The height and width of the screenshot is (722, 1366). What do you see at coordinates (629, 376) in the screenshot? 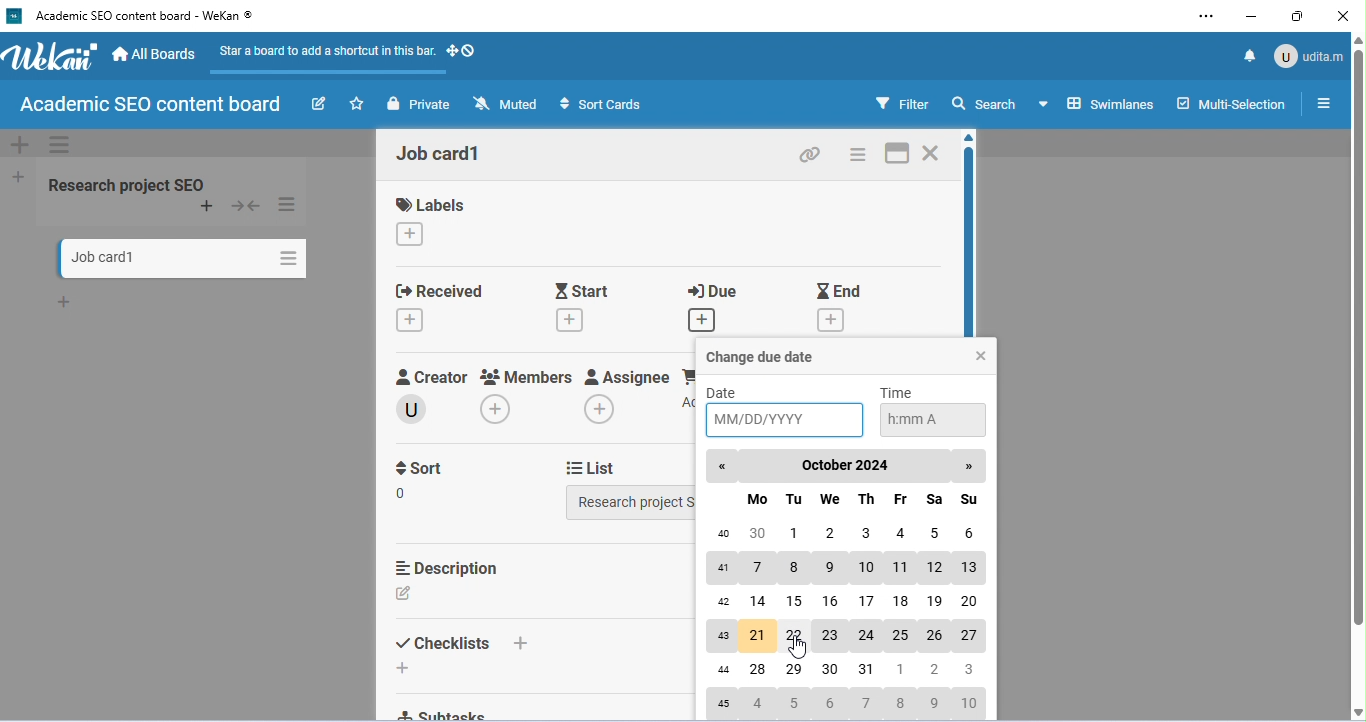
I see `assignee` at bounding box center [629, 376].